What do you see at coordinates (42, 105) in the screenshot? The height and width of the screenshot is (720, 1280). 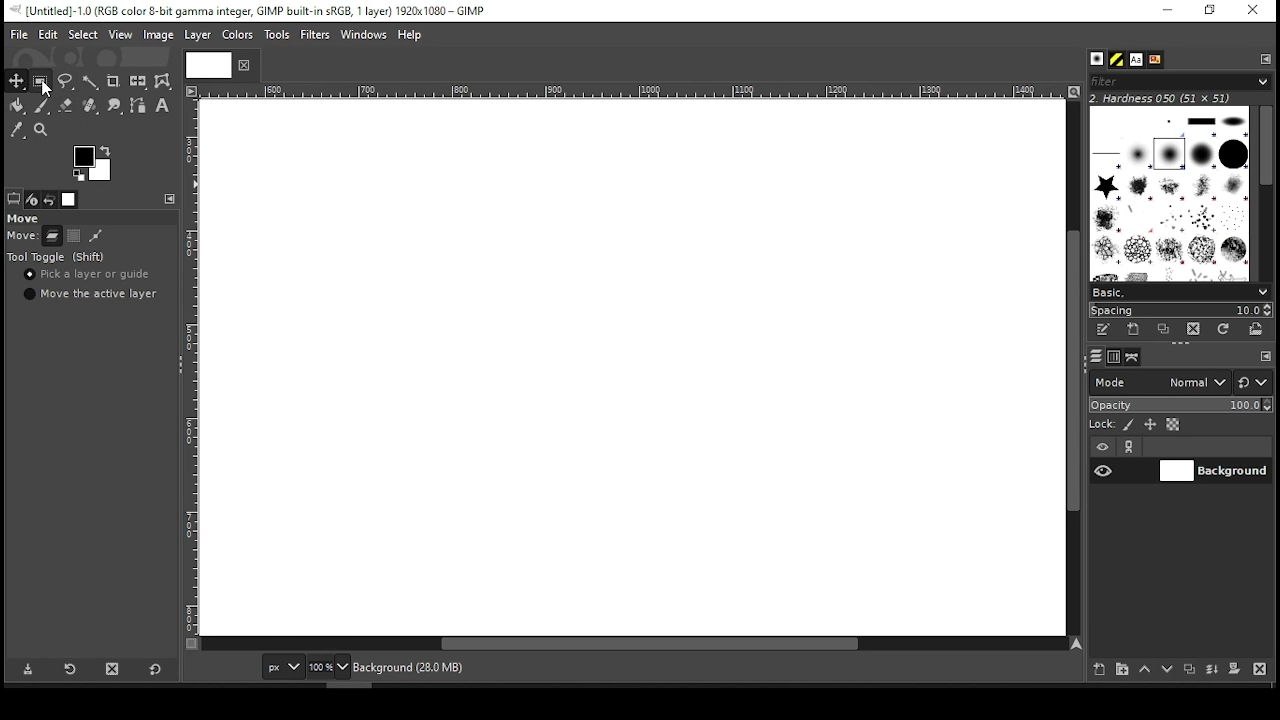 I see `paint brush tool` at bounding box center [42, 105].